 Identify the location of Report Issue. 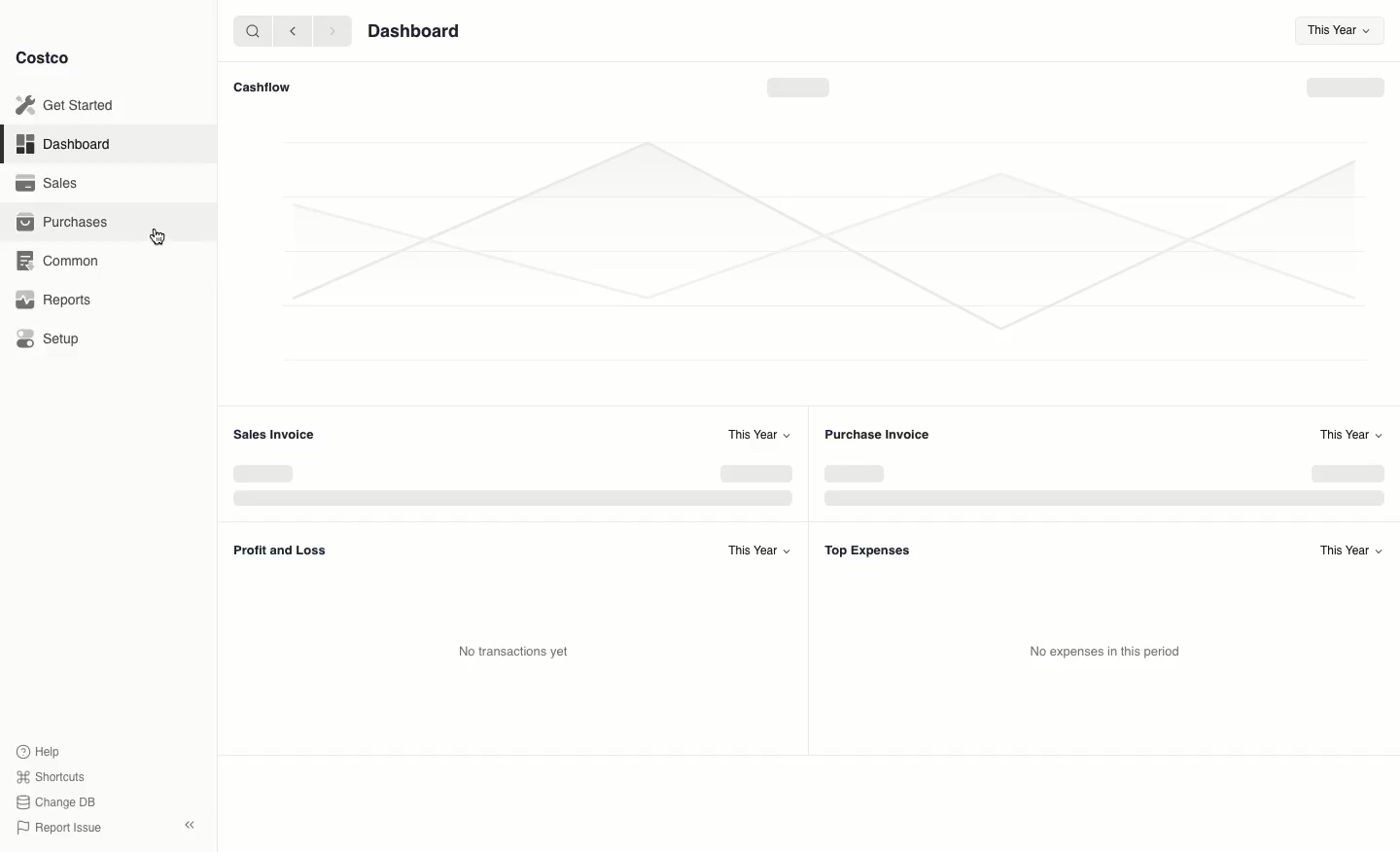
(59, 829).